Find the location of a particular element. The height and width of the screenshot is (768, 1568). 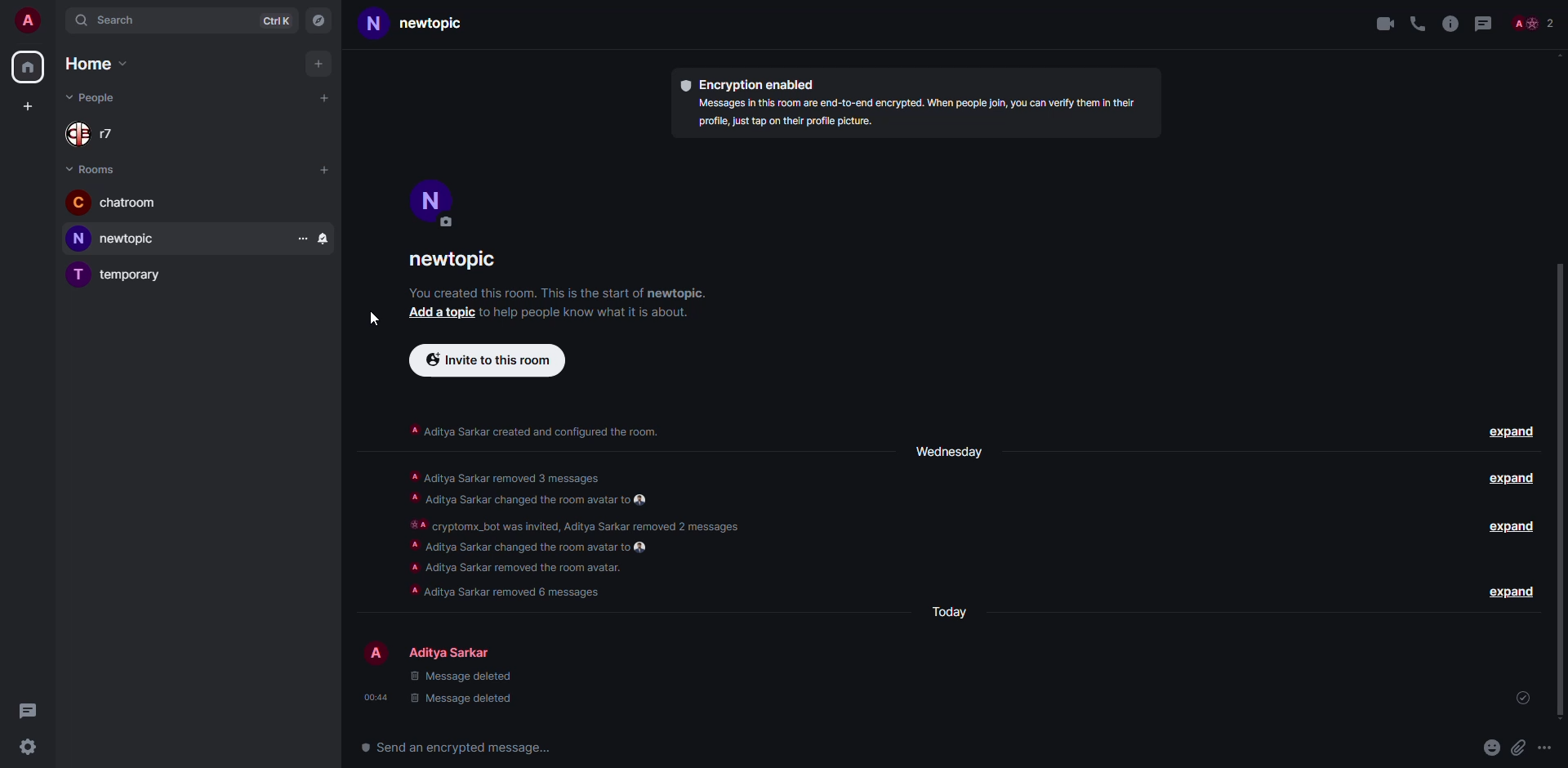

day is located at coordinates (951, 612).